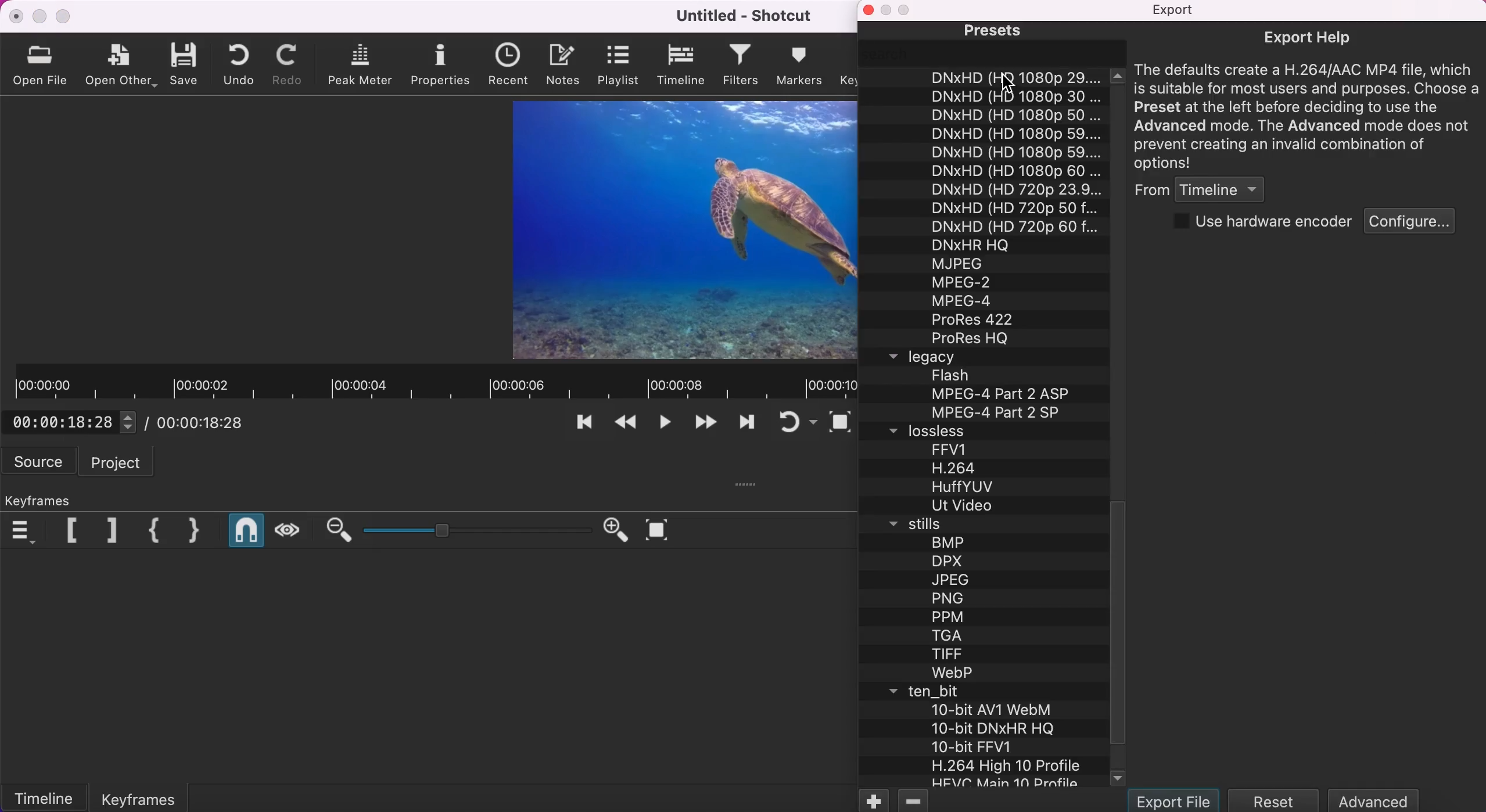  I want to click on keyframes, so click(849, 66).